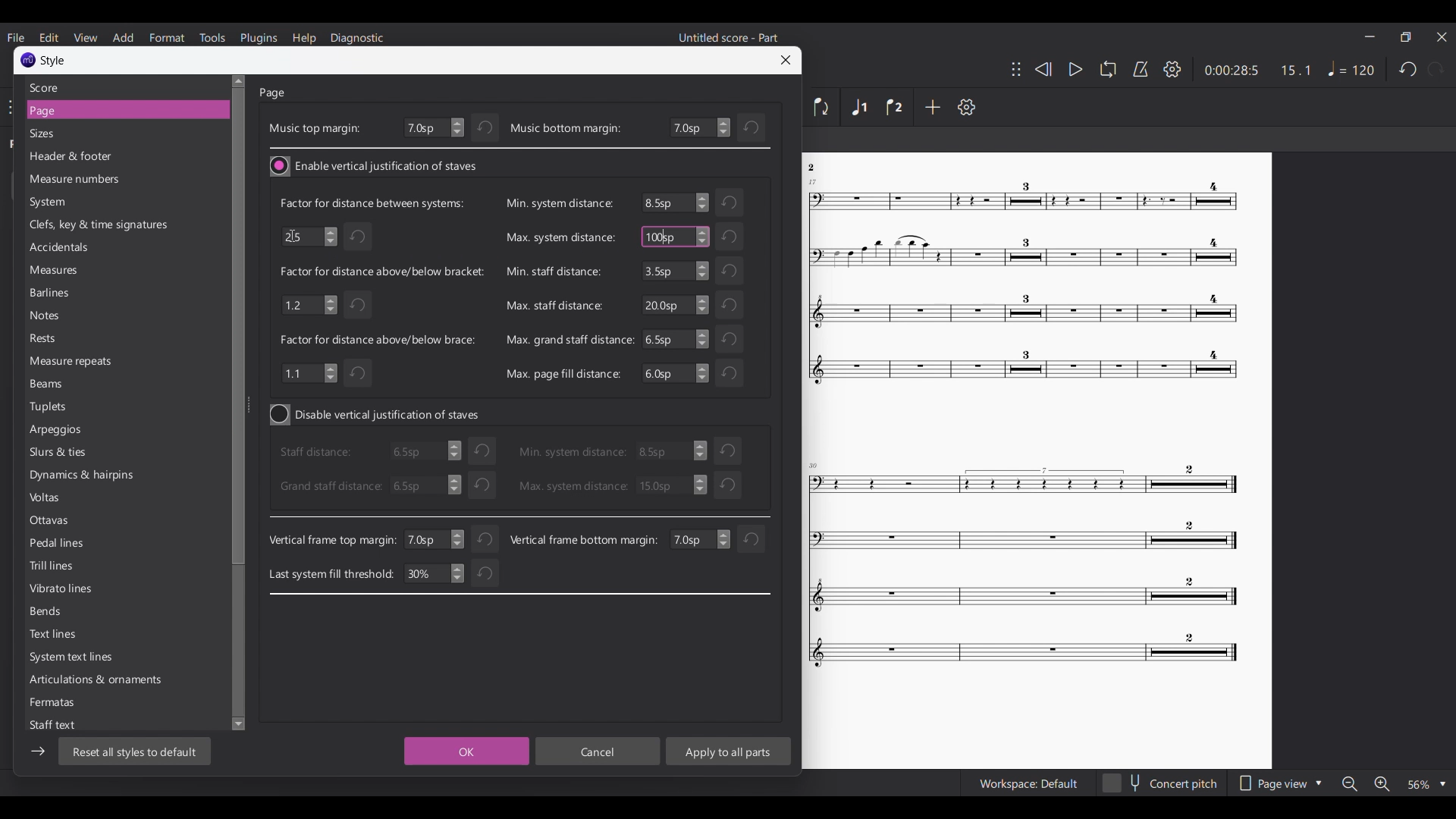  I want to click on Notes, so click(68, 316).